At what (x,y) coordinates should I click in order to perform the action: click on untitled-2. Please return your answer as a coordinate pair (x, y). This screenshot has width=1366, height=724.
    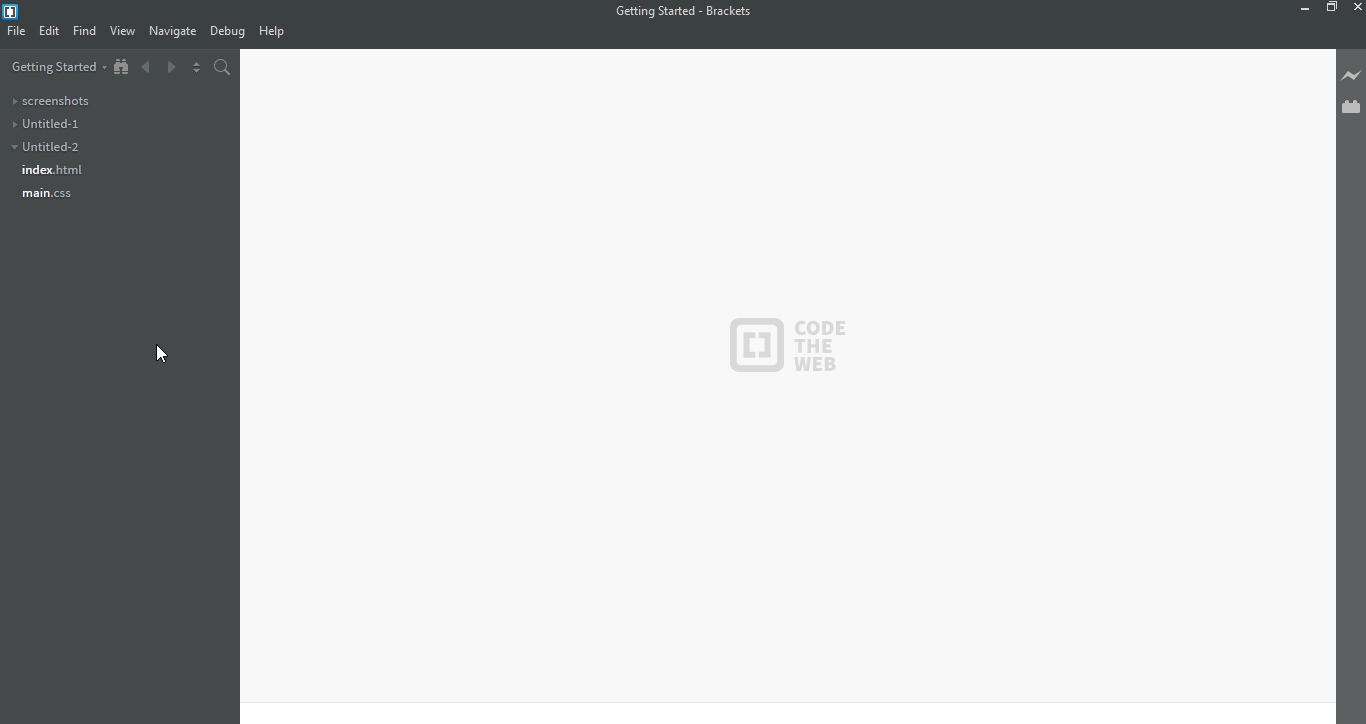
    Looking at the image, I should click on (56, 147).